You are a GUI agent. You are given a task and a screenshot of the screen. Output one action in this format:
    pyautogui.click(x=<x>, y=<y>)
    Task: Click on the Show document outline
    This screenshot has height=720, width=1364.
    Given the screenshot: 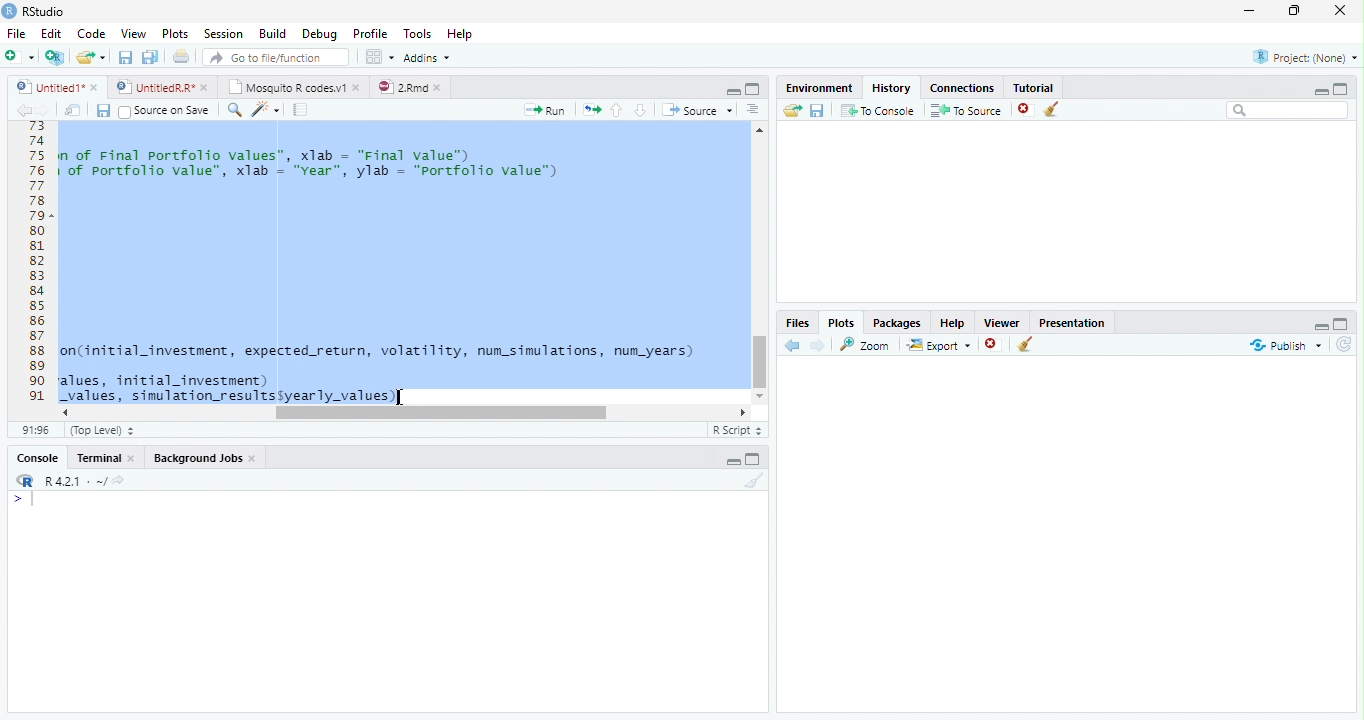 What is the action you would take?
    pyautogui.click(x=753, y=111)
    